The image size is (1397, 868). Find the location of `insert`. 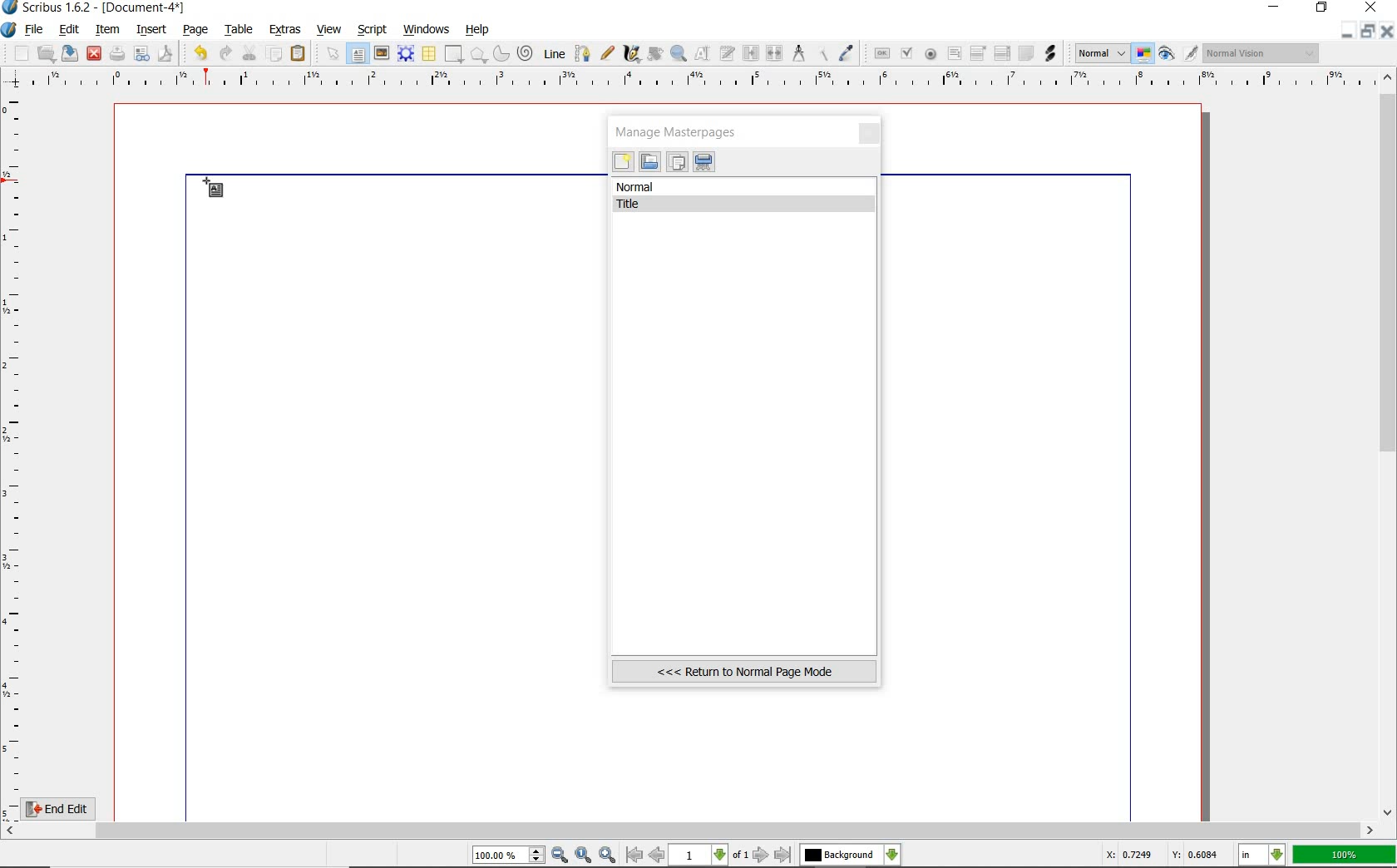

insert is located at coordinates (151, 29).